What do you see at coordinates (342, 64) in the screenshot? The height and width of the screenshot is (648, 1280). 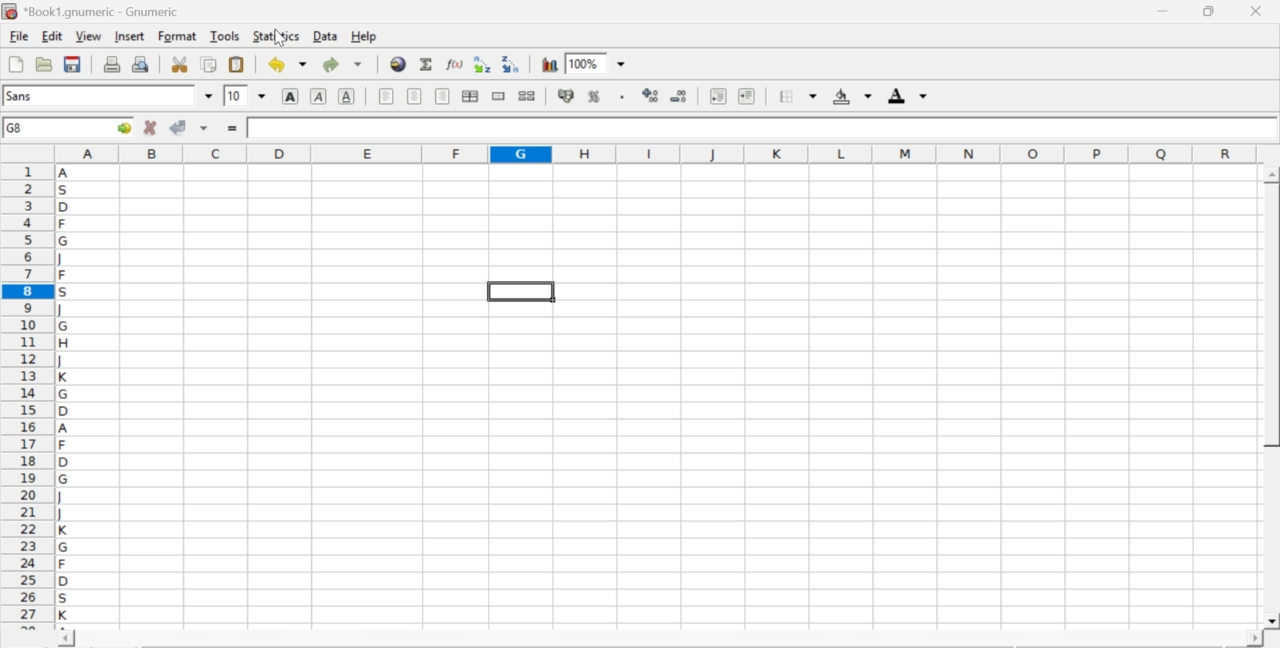 I see `redo` at bounding box center [342, 64].